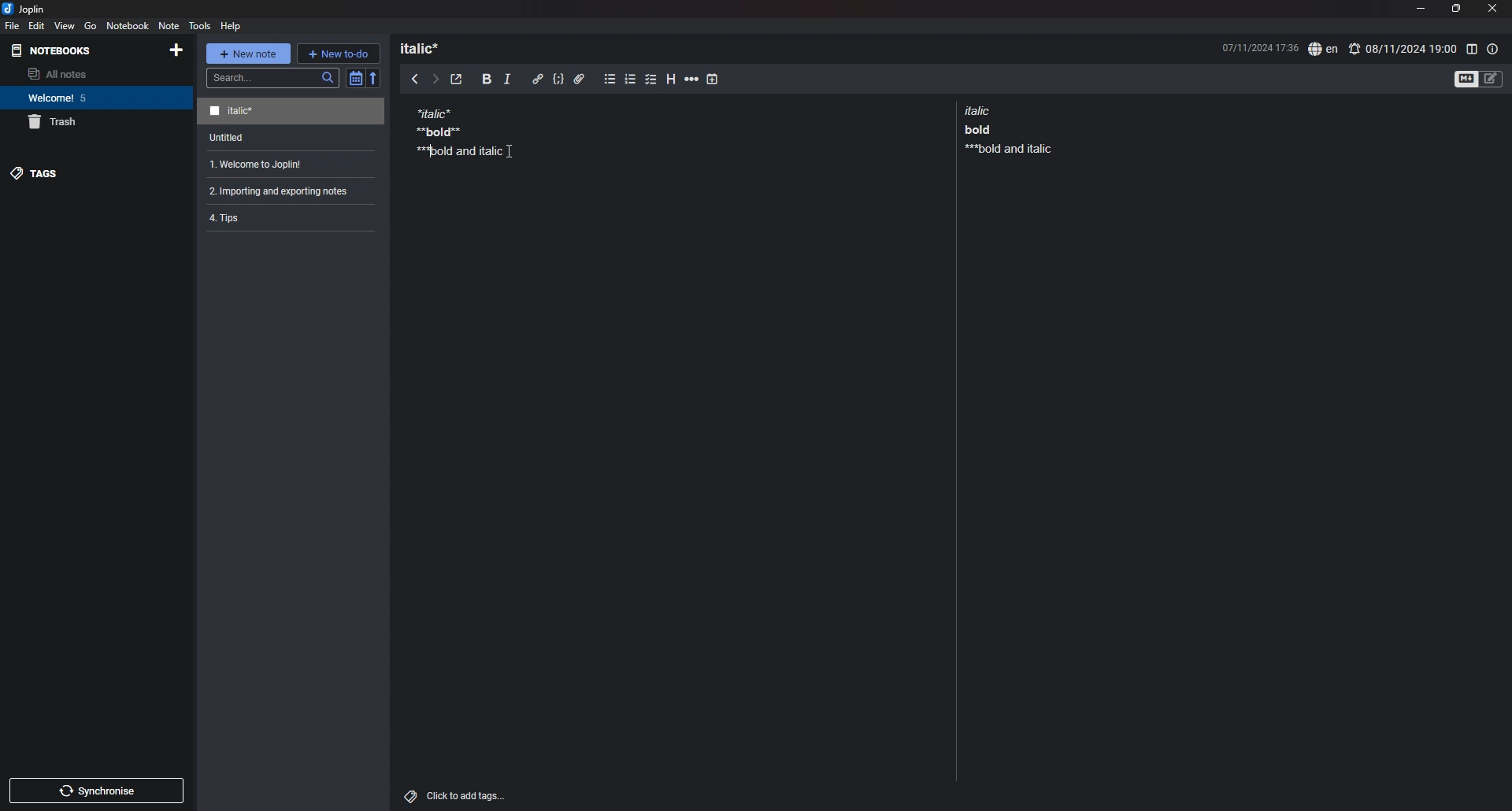 This screenshot has width=1512, height=811. I want to click on numbered list, so click(631, 81).